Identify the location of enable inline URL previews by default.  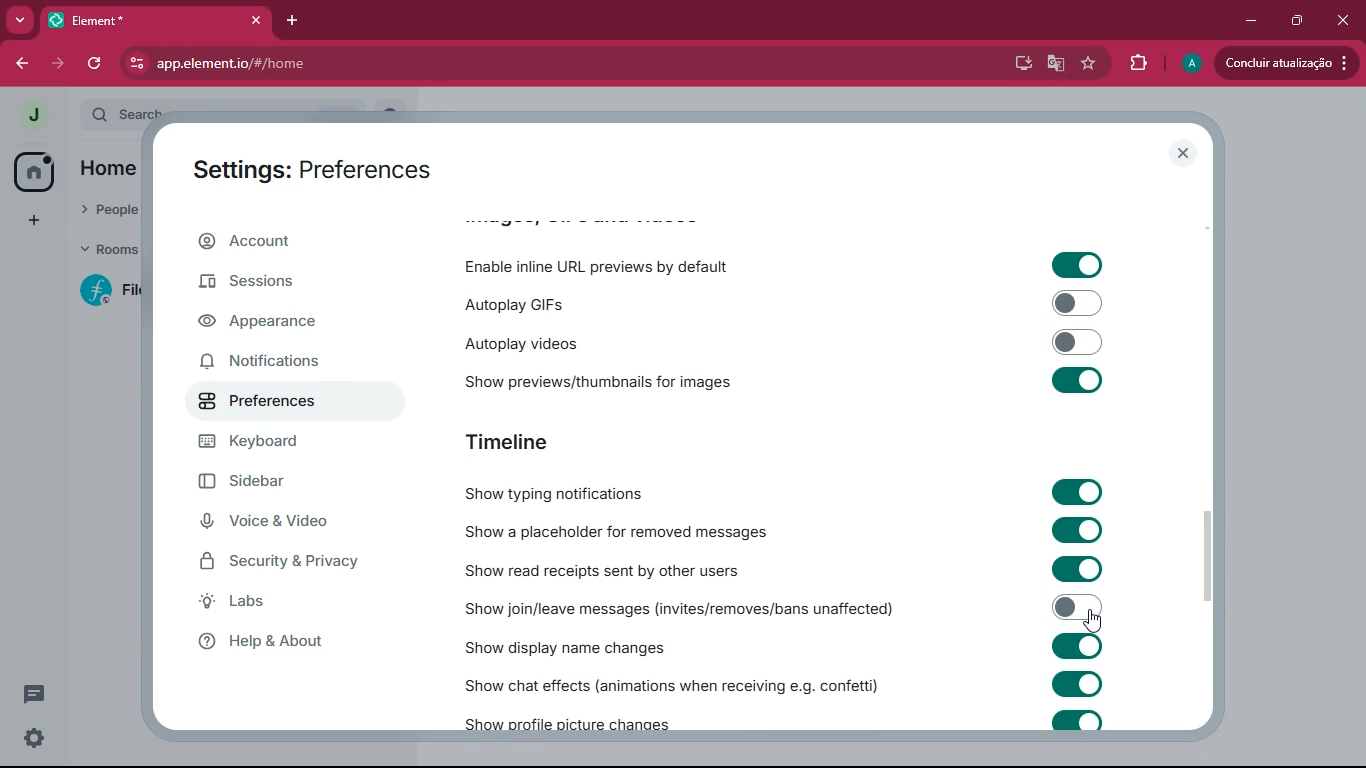
(603, 264).